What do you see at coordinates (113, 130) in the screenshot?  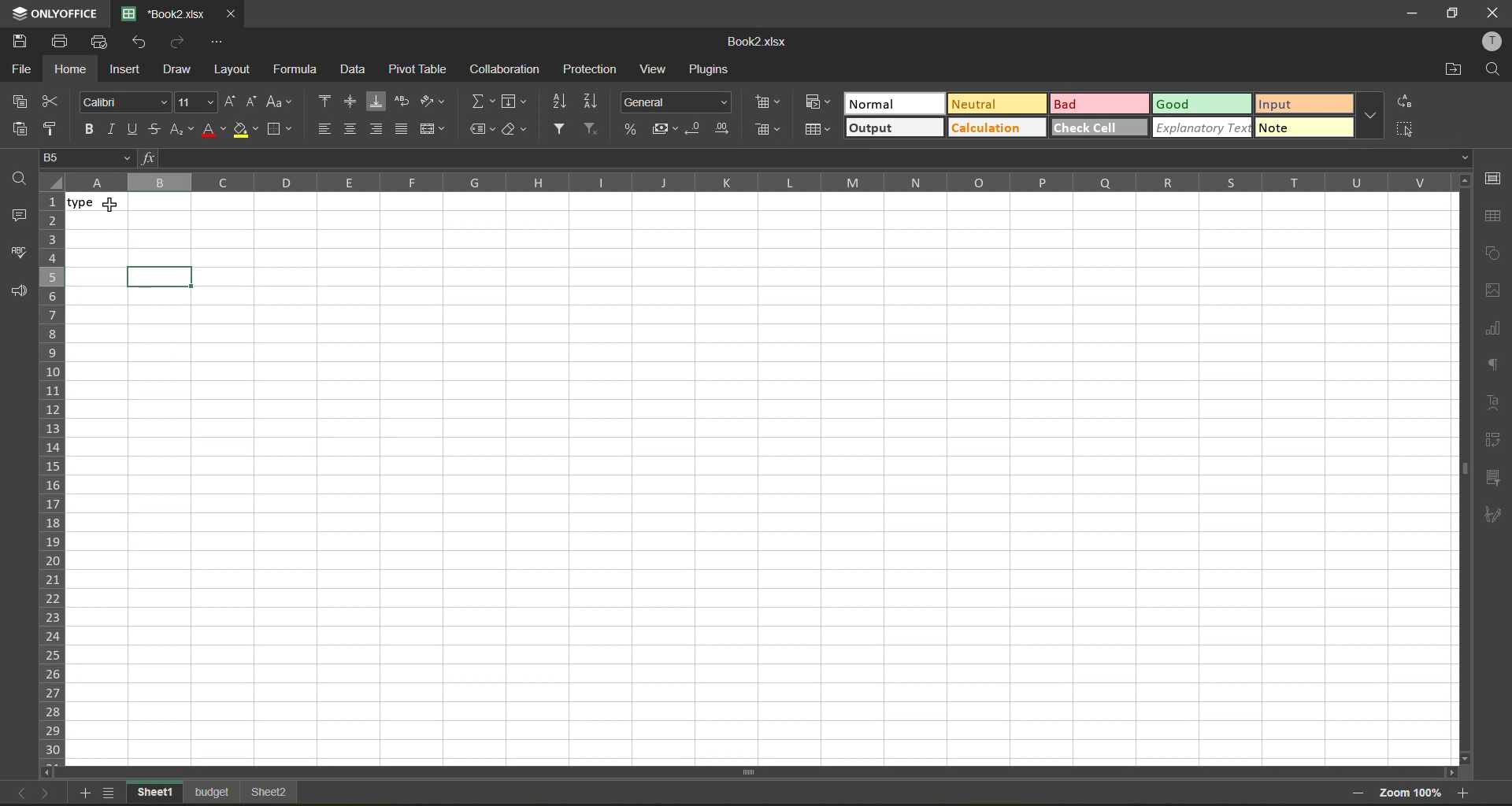 I see `italic` at bounding box center [113, 130].